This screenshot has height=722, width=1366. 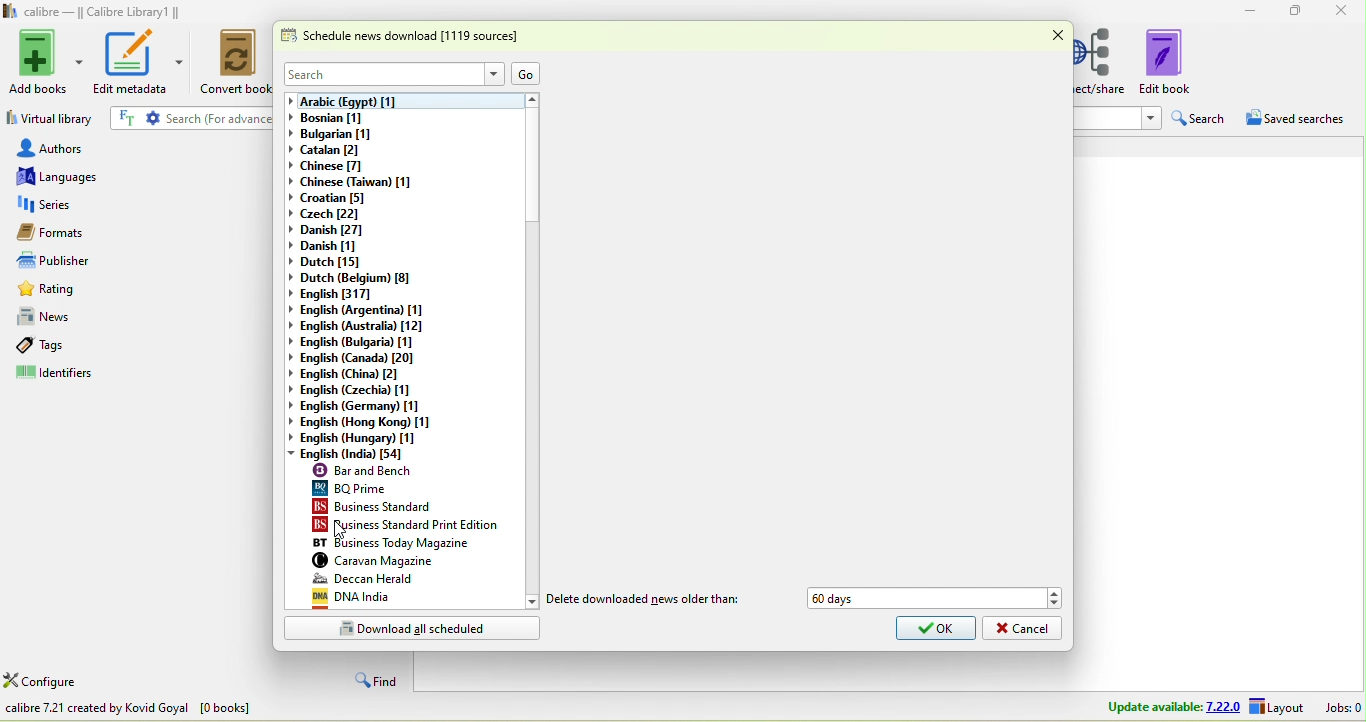 What do you see at coordinates (491, 72) in the screenshot?
I see `Drop down` at bounding box center [491, 72].